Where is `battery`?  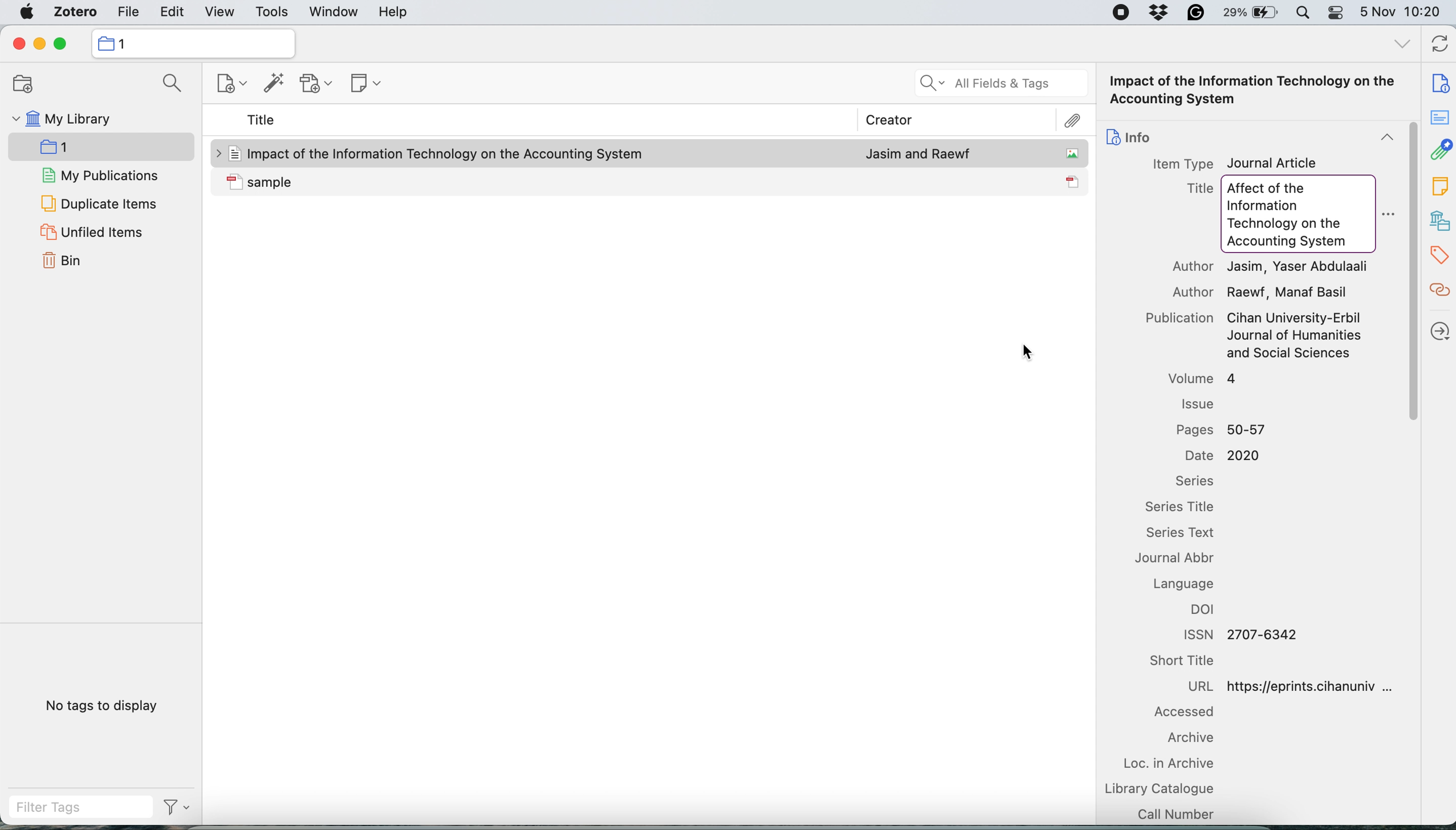
battery is located at coordinates (1252, 13).